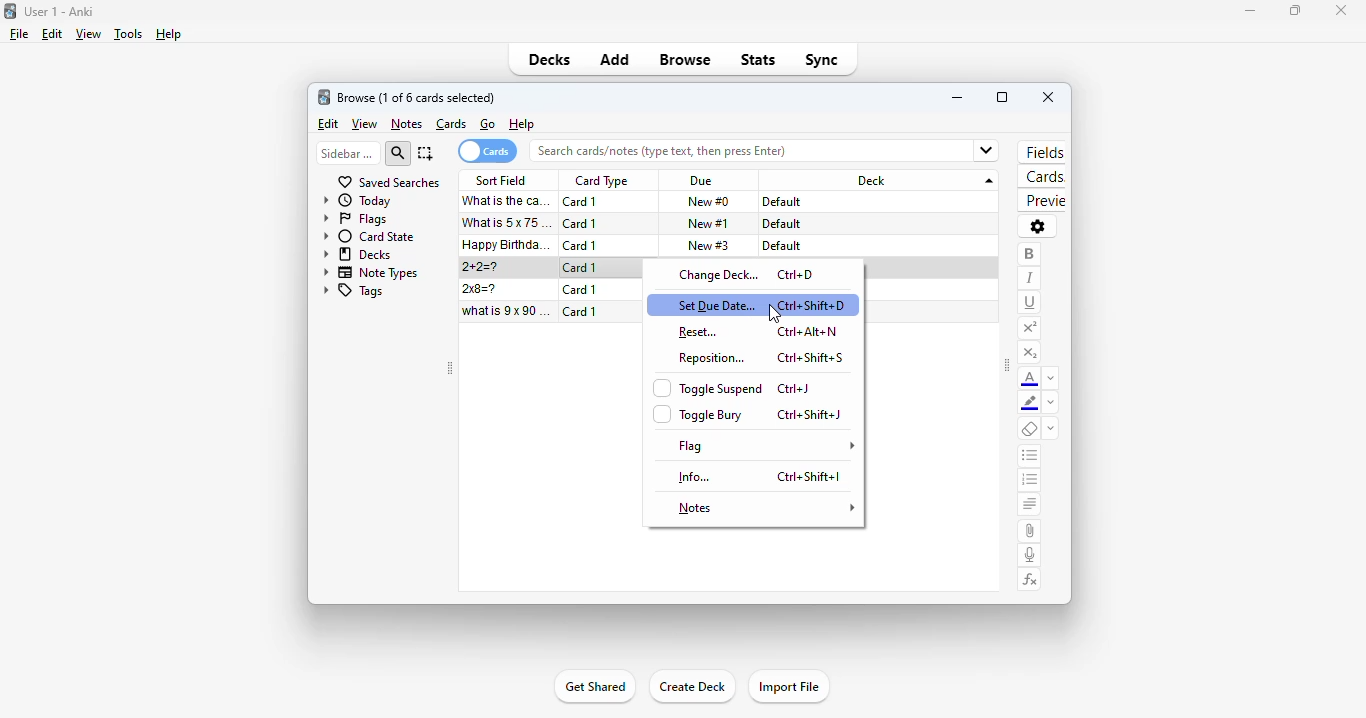 The width and height of the screenshot is (1366, 718). What do you see at coordinates (355, 220) in the screenshot?
I see `flags` at bounding box center [355, 220].